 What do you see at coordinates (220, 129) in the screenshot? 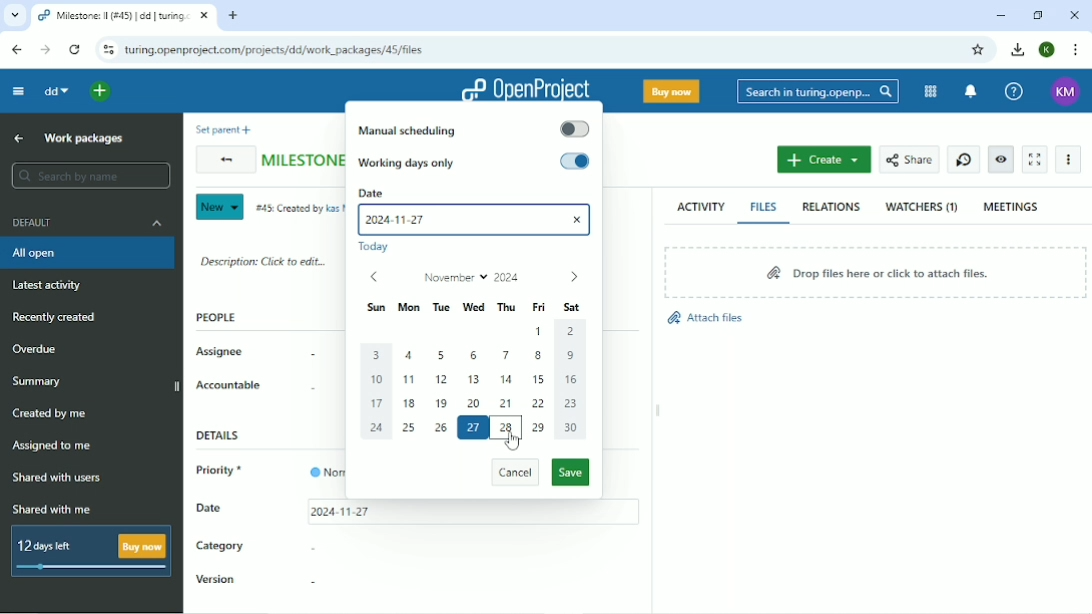
I see `Set parent` at bounding box center [220, 129].